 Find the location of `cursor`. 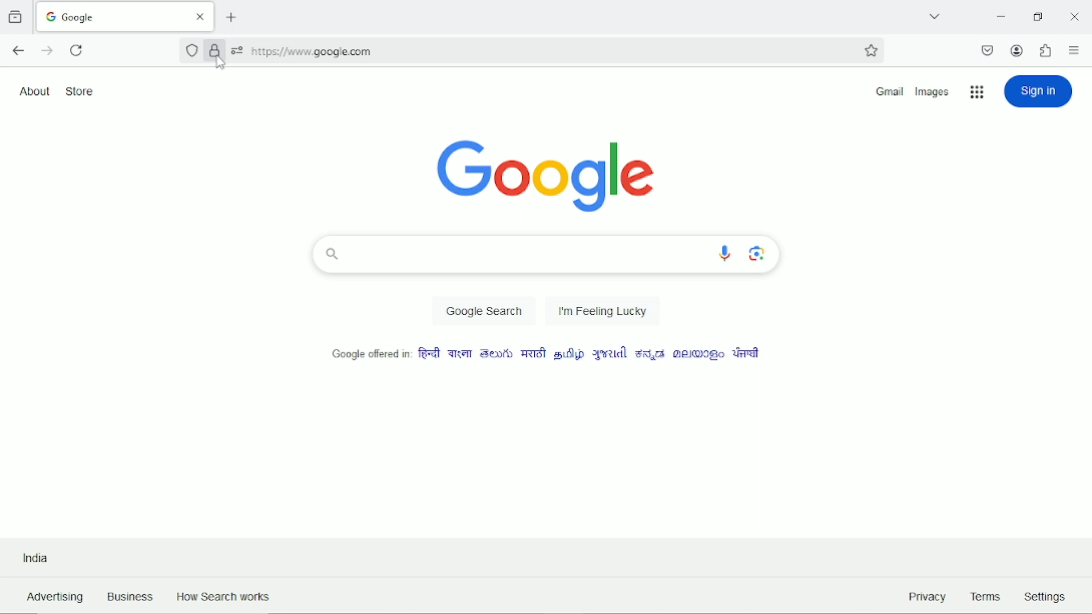

cursor is located at coordinates (219, 64).